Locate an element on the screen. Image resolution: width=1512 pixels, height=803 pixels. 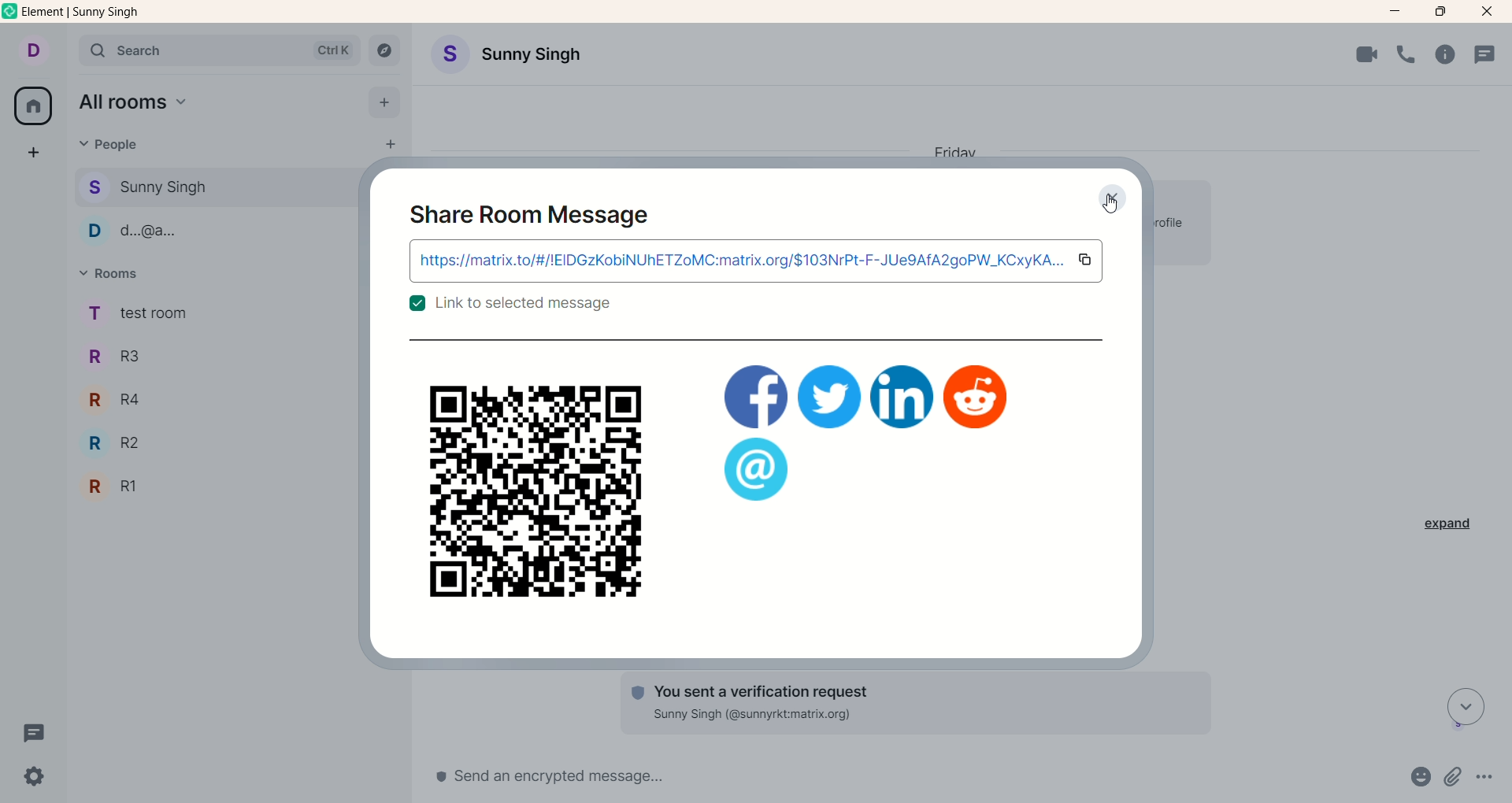
cursor is located at coordinates (1114, 204).